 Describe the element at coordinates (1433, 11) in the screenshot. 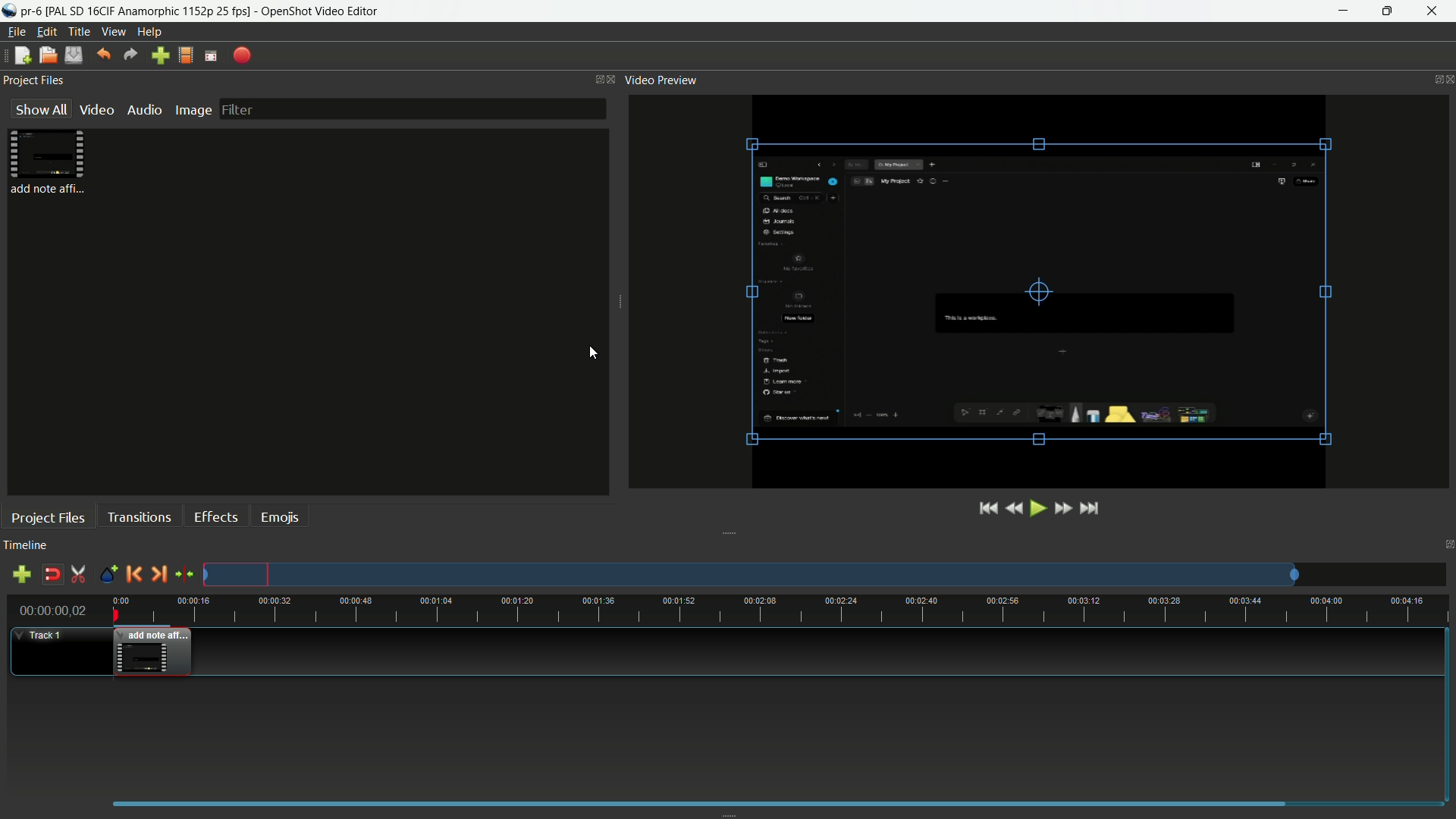

I see `close app` at that location.